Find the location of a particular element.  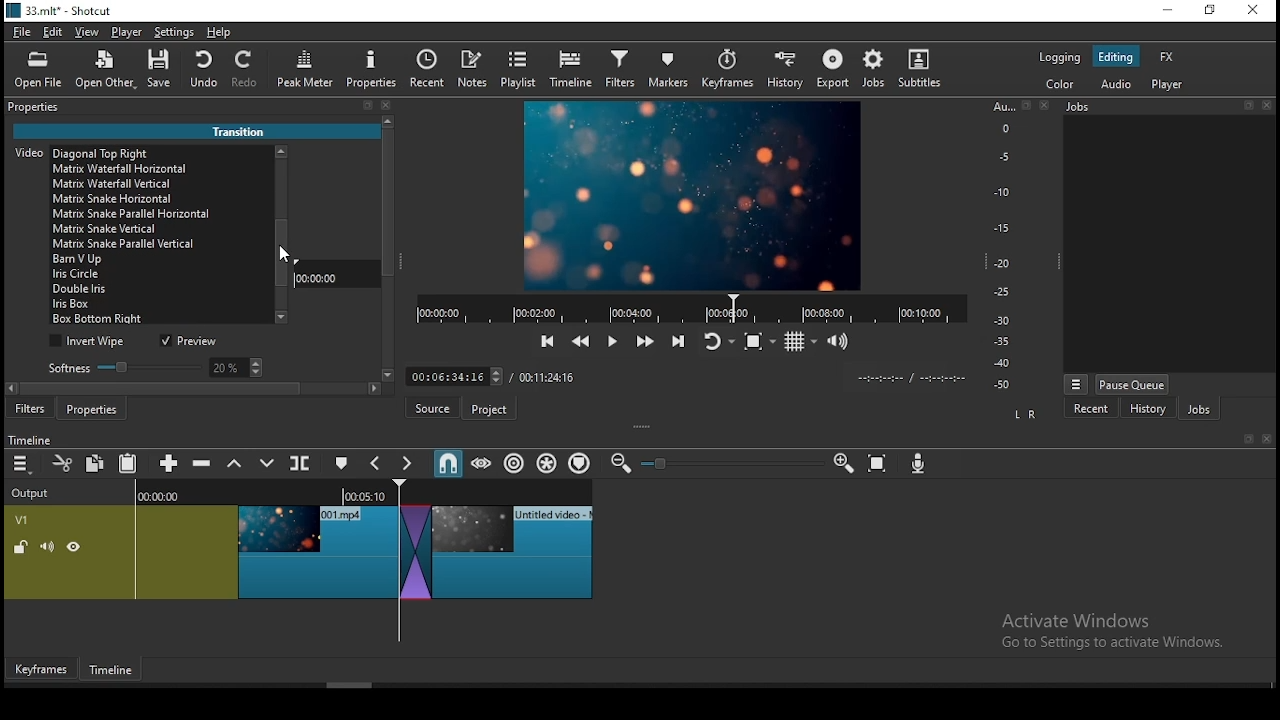

zoom timeline to fit is located at coordinates (879, 466).